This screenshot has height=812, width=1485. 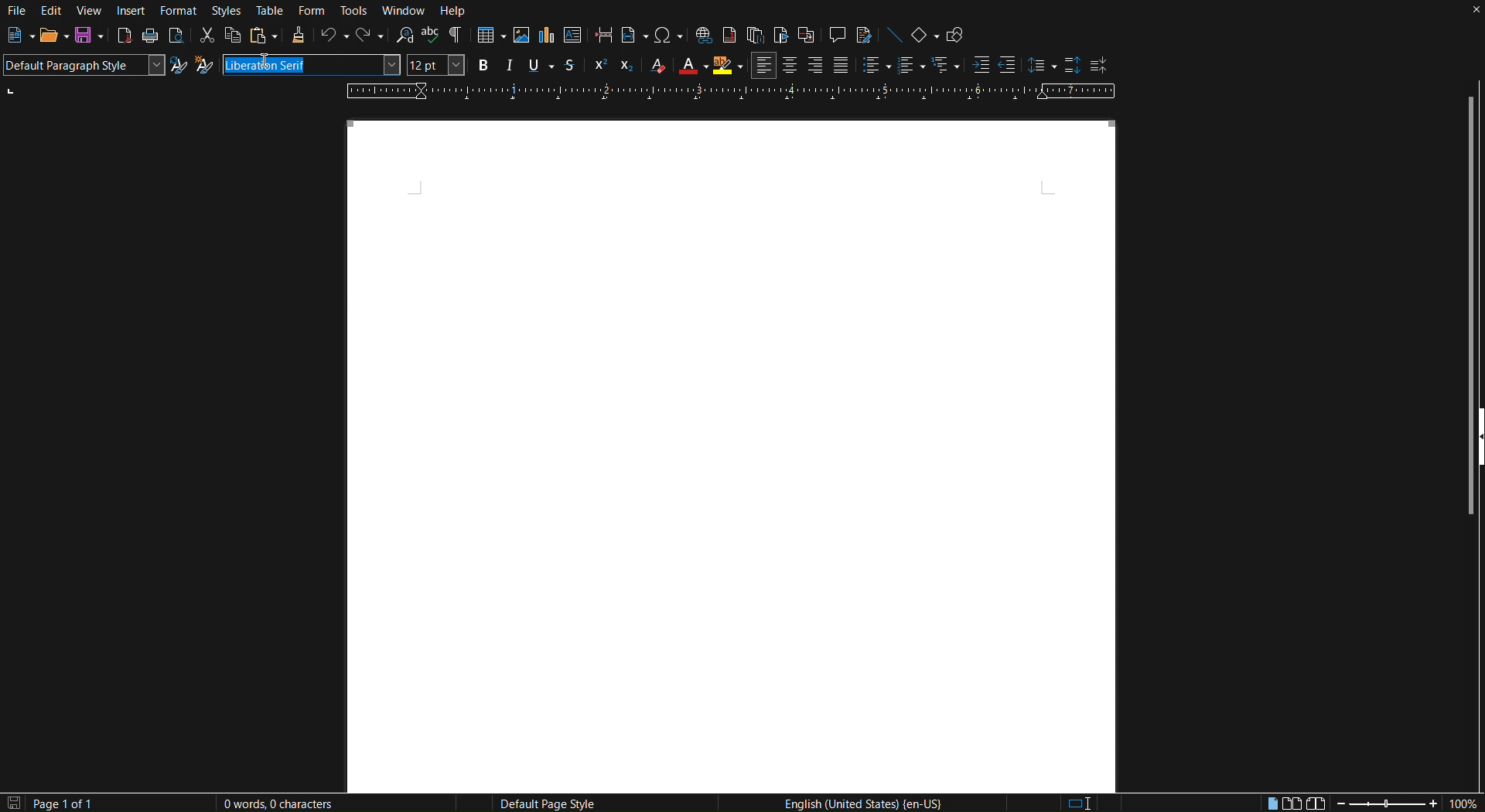 What do you see at coordinates (551, 804) in the screenshot?
I see `Default Page Style` at bounding box center [551, 804].